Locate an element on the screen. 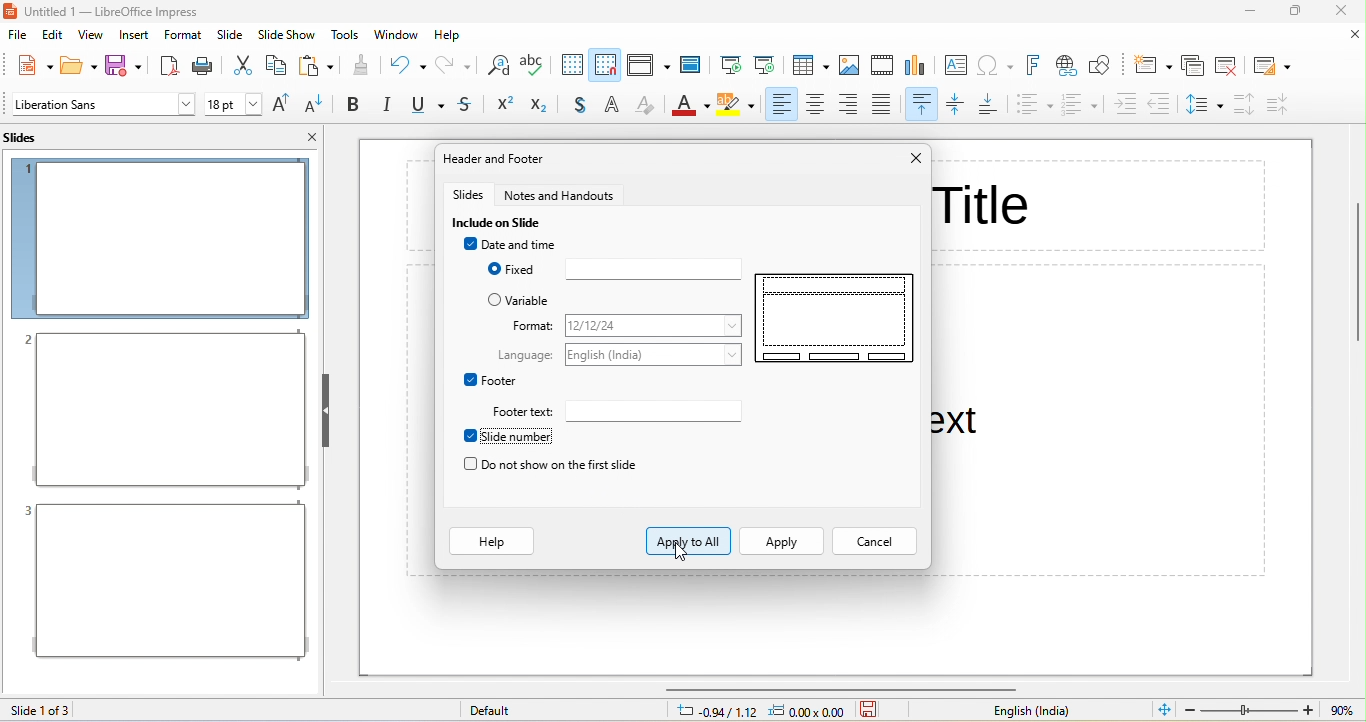 This screenshot has height=722, width=1366. 0.94/1.12 is located at coordinates (712, 712).